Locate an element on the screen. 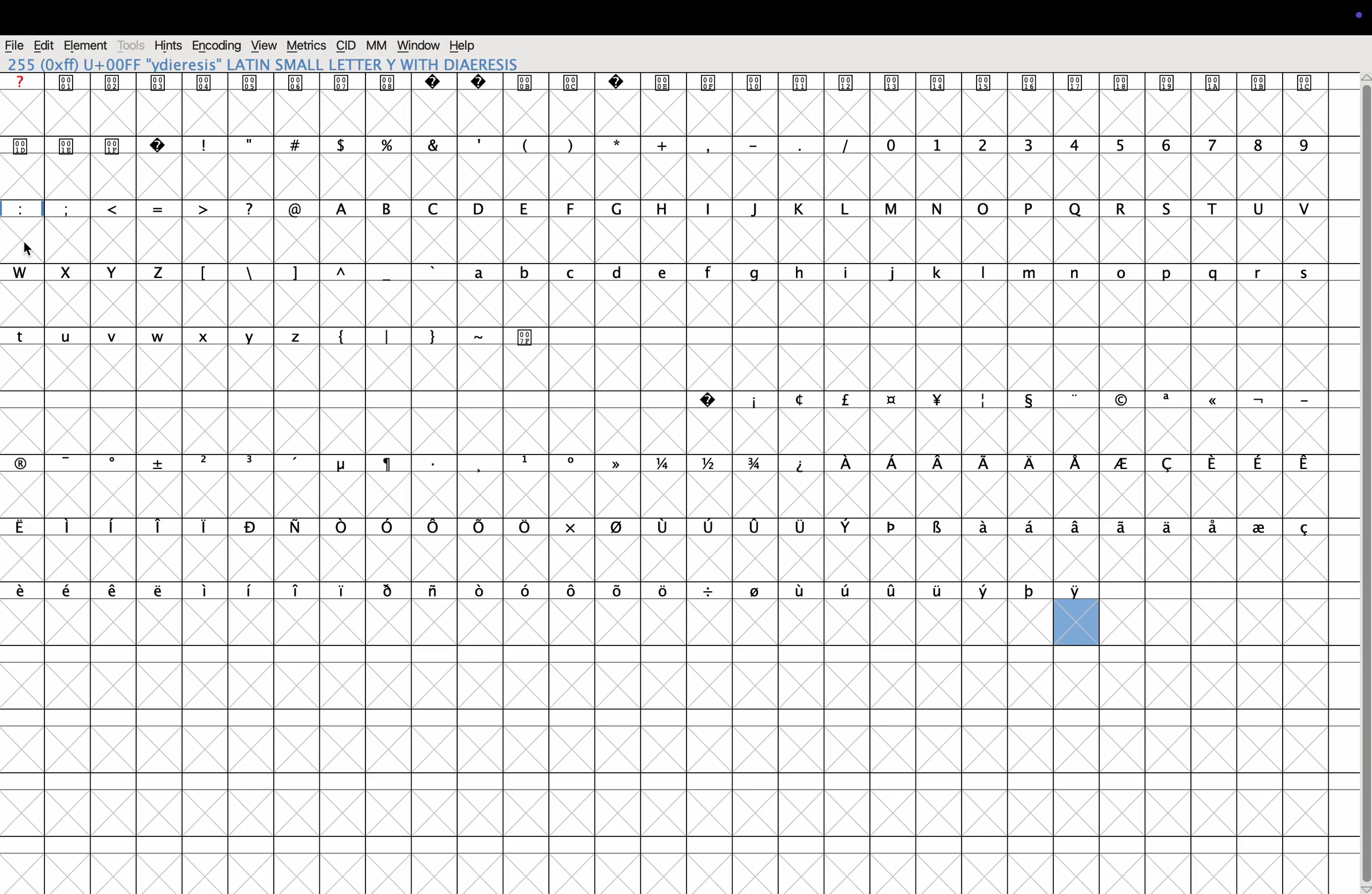  - is located at coordinates (755, 168).